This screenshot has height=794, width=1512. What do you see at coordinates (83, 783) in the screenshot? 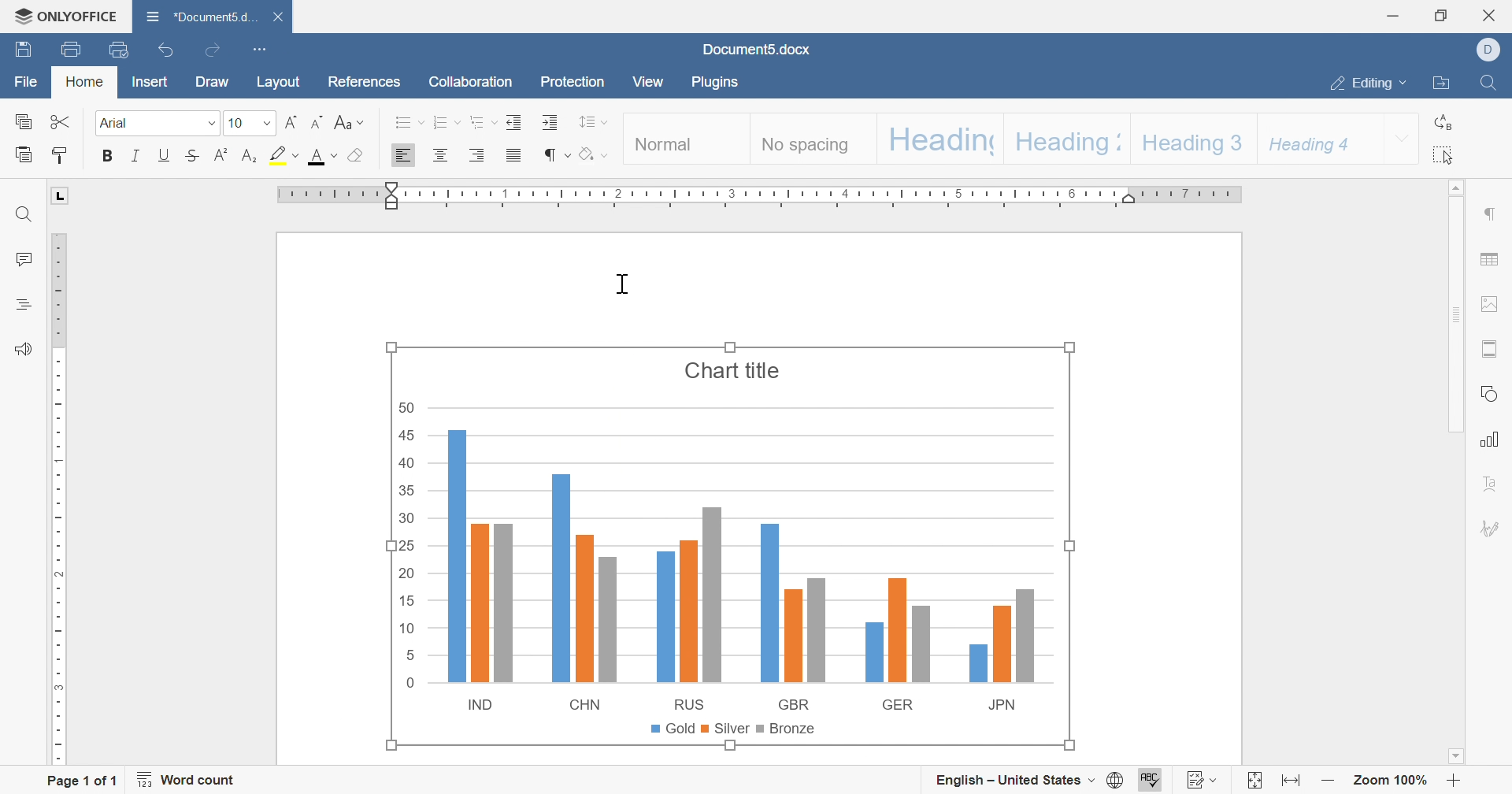
I see `page 1 of 1` at bounding box center [83, 783].